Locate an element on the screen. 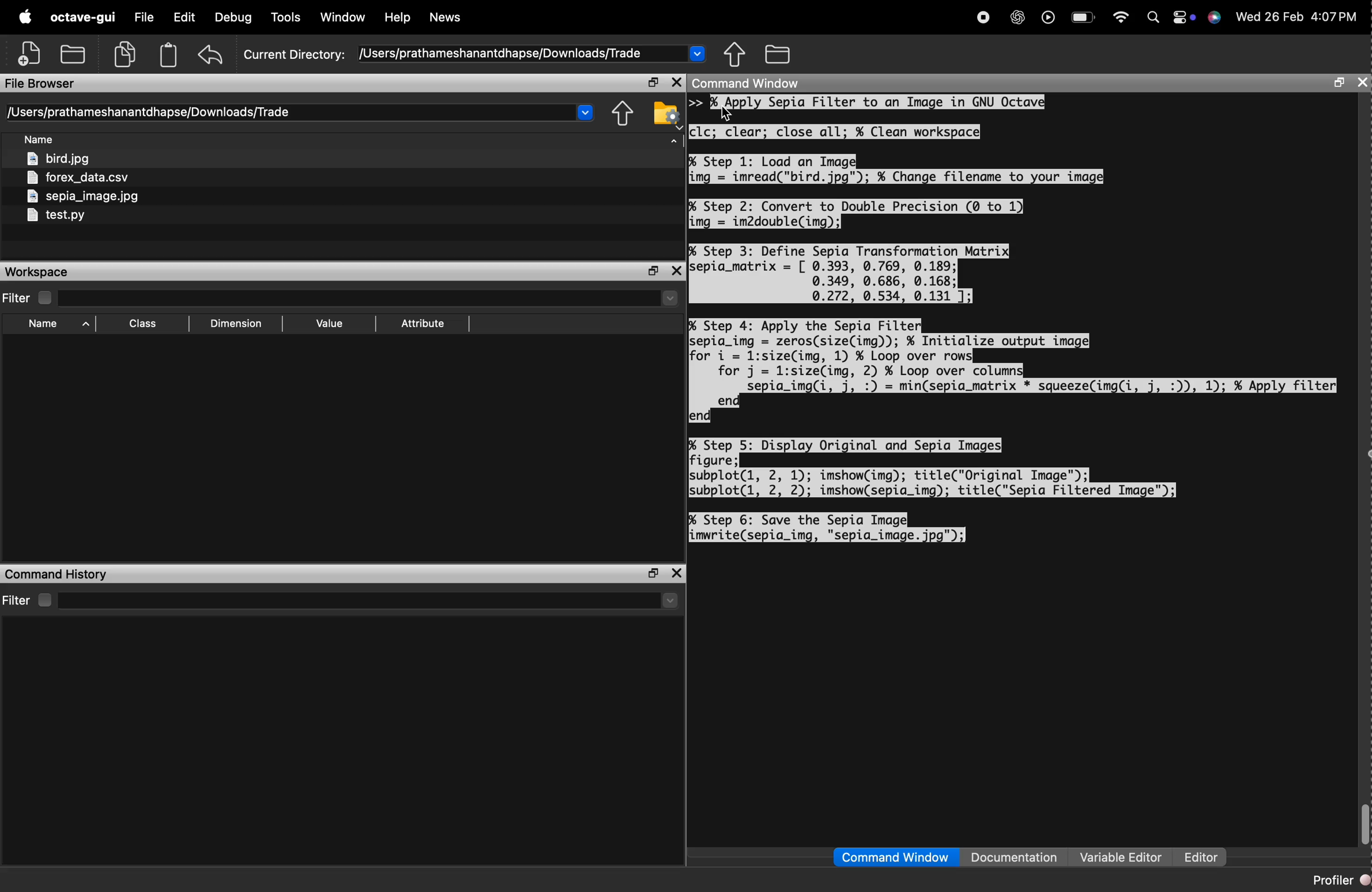  News is located at coordinates (448, 17).